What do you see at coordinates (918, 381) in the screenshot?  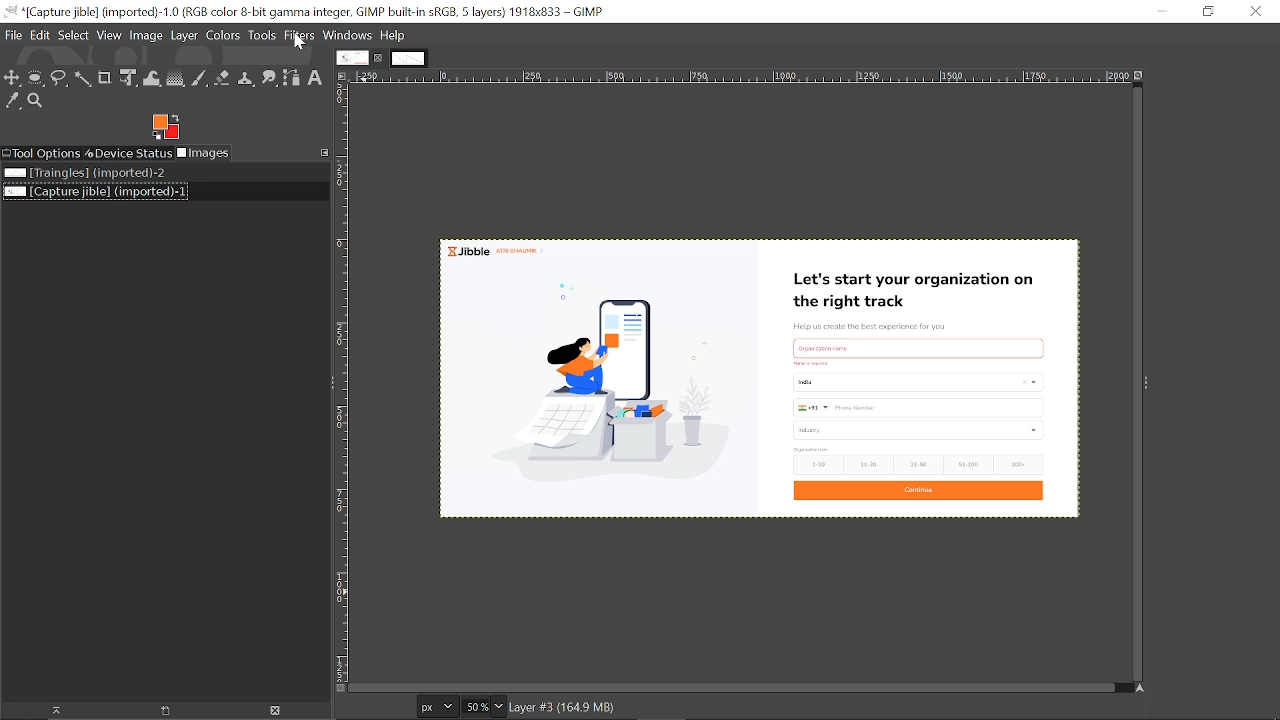 I see `country` at bounding box center [918, 381].